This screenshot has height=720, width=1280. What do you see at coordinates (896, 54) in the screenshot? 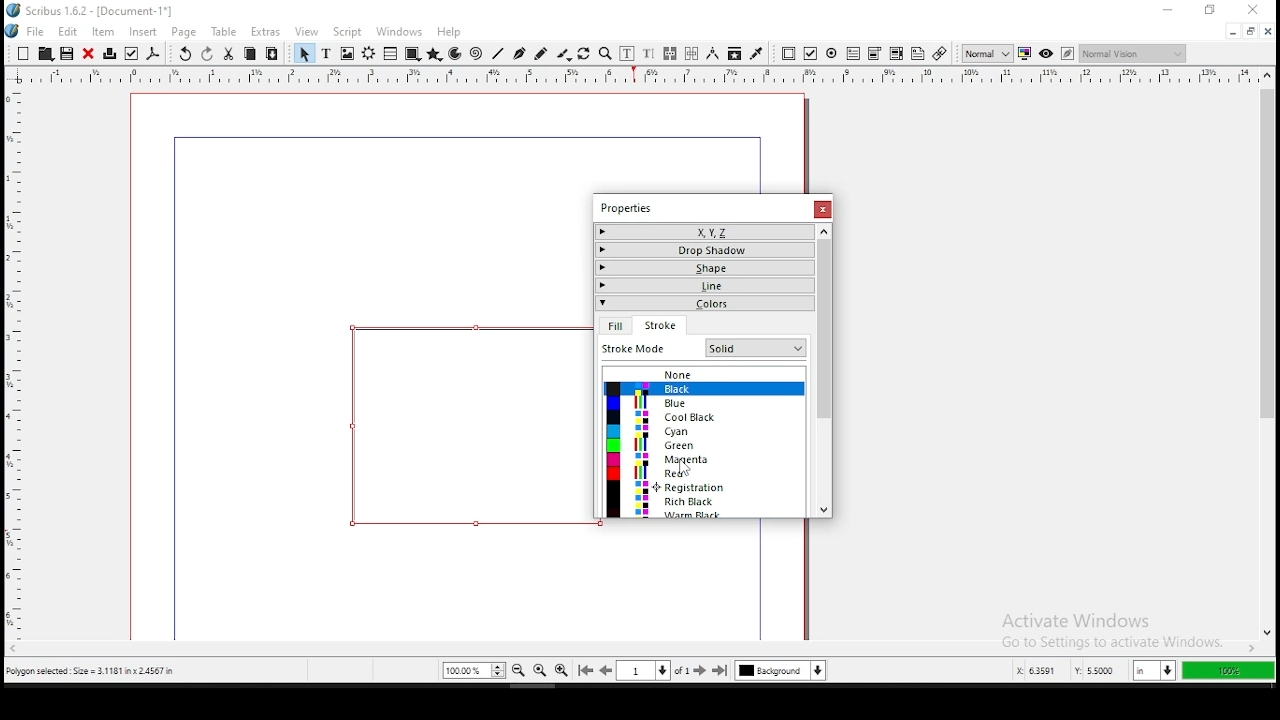
I see `pdf combo box` at bounding box center [896, 54].